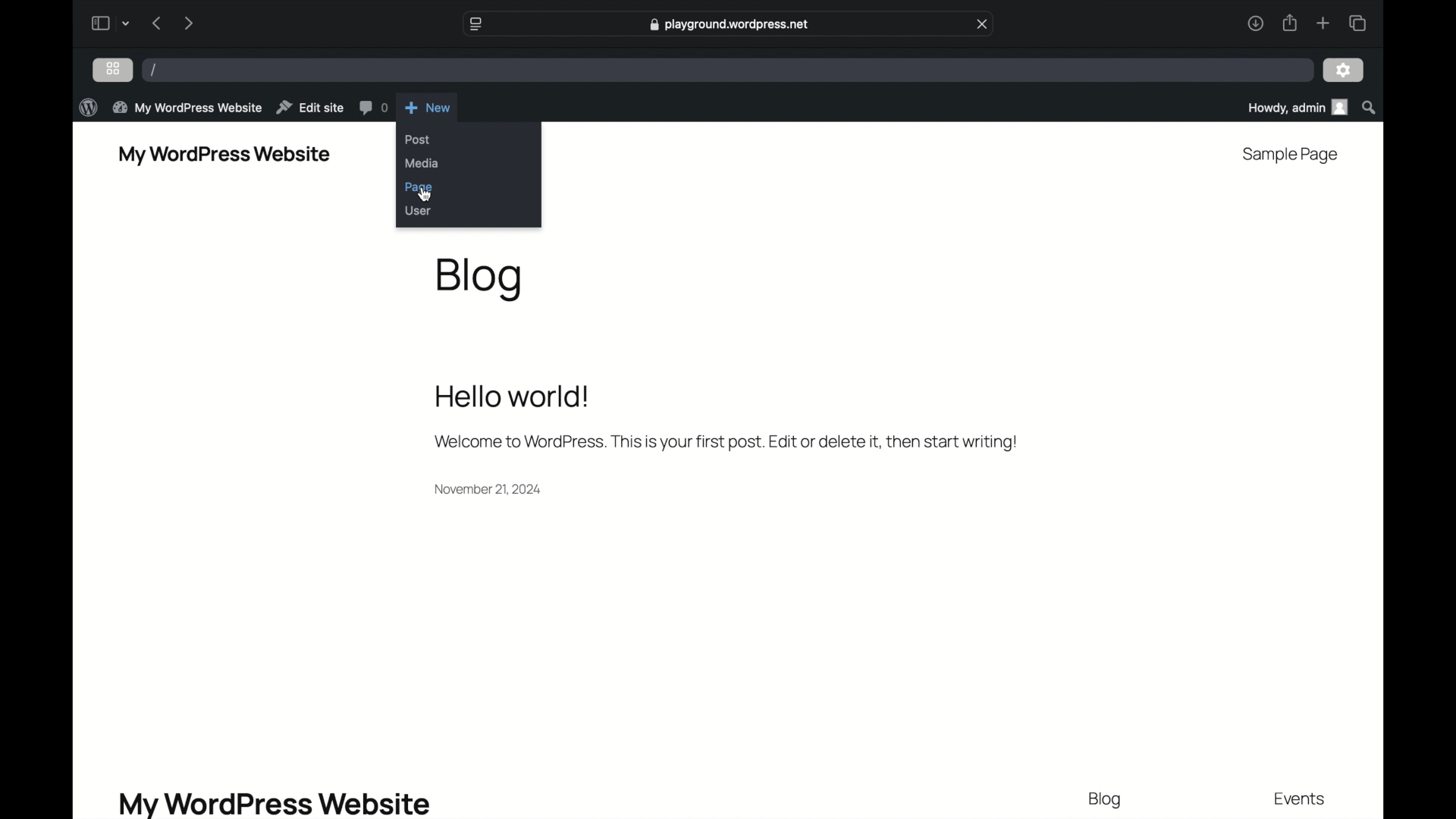  What do you see at coordinates (88, 107) in the screenshot?
I see `wordpress` at bounding box center [88, 107].